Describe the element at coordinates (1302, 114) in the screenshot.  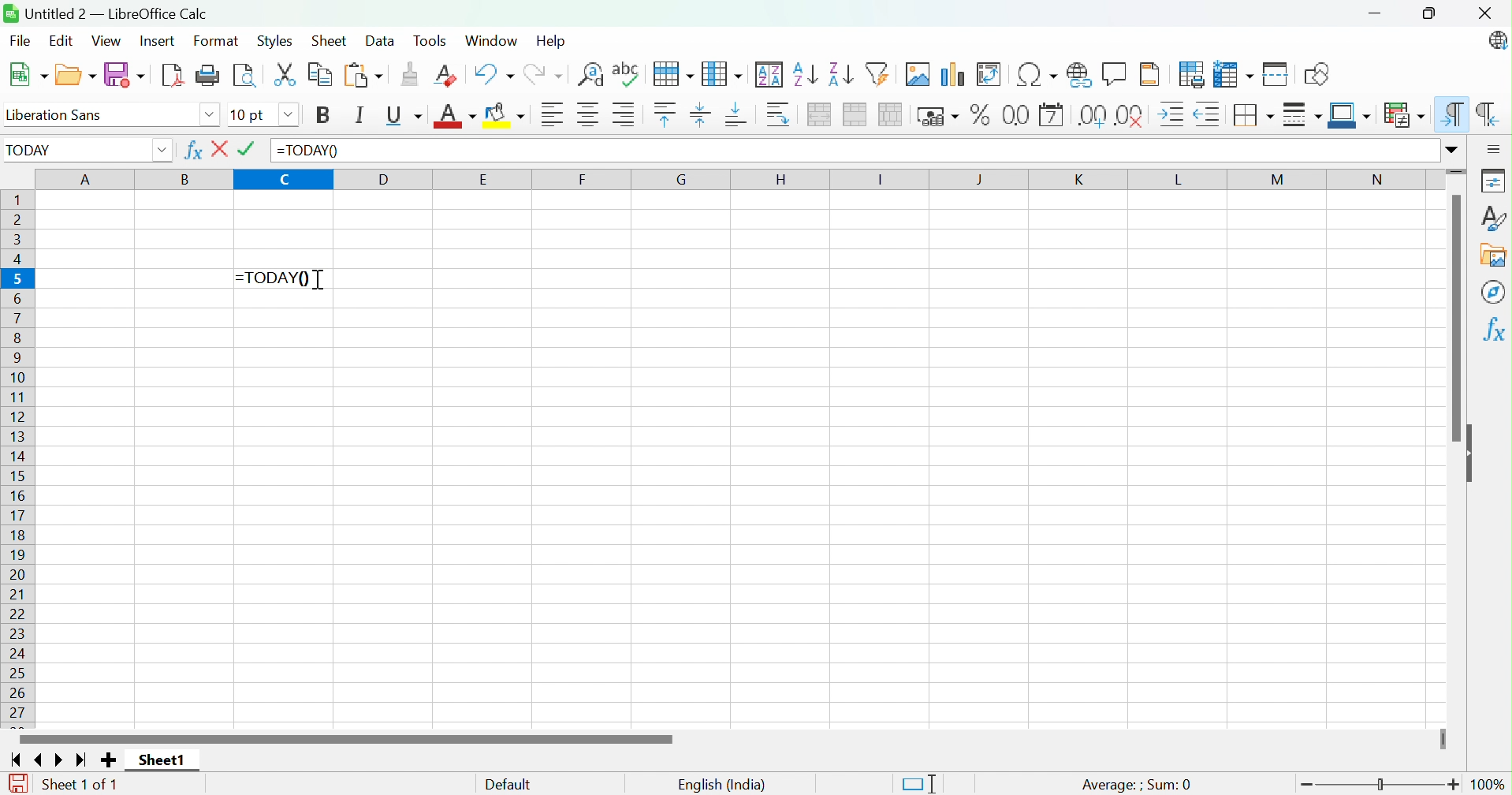
I see `Border style` at that location.